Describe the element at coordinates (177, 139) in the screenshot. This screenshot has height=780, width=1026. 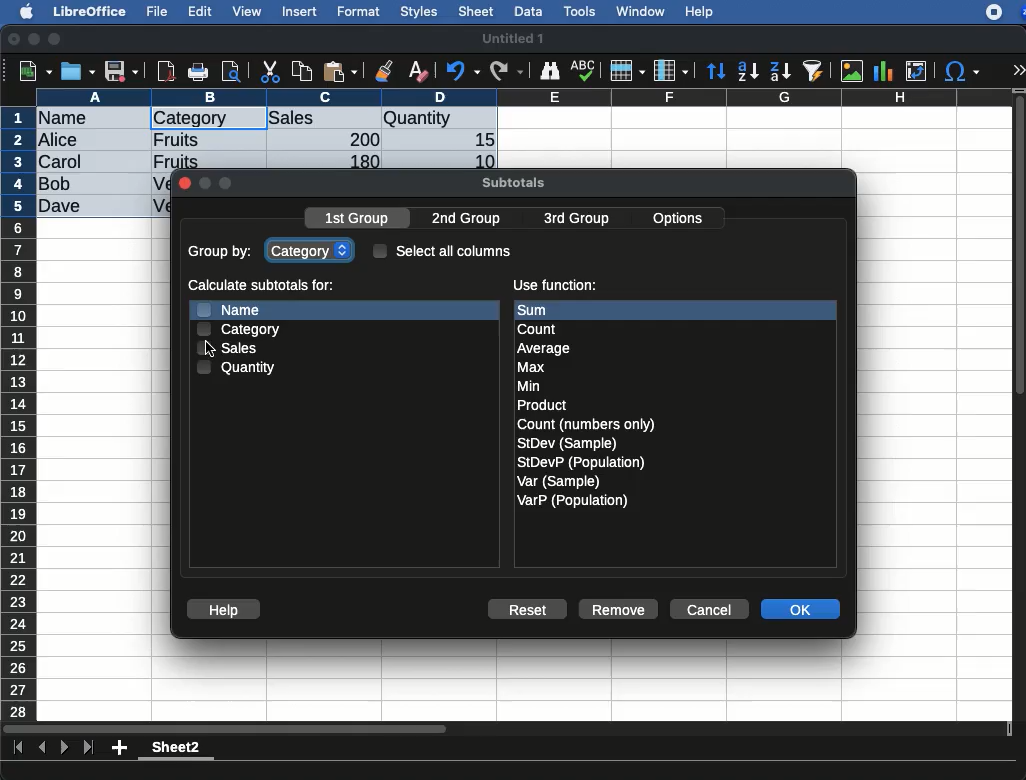
I see `Fruits` at that location.